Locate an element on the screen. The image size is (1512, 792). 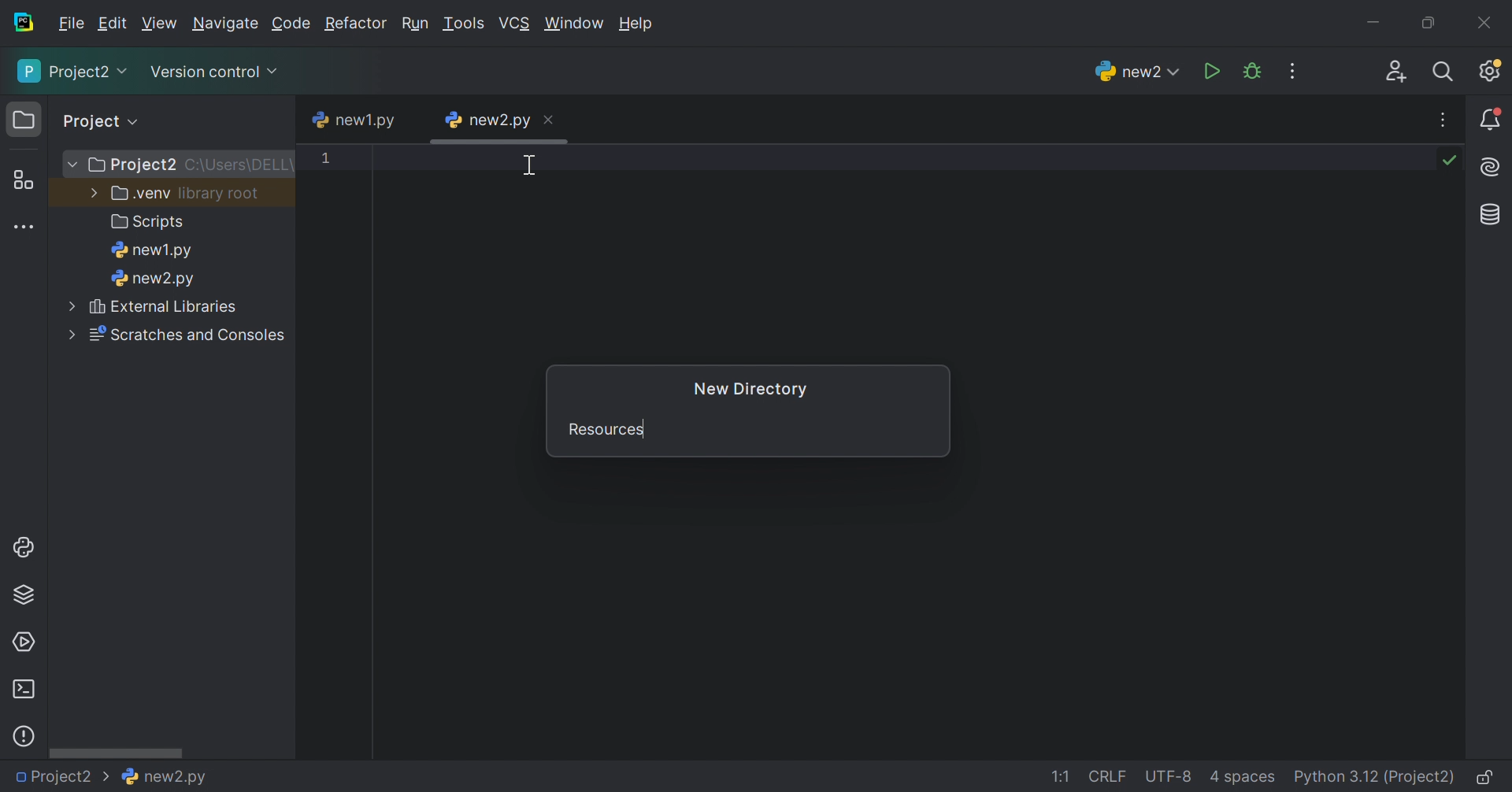
.venv is located at coordinates (140, 193).